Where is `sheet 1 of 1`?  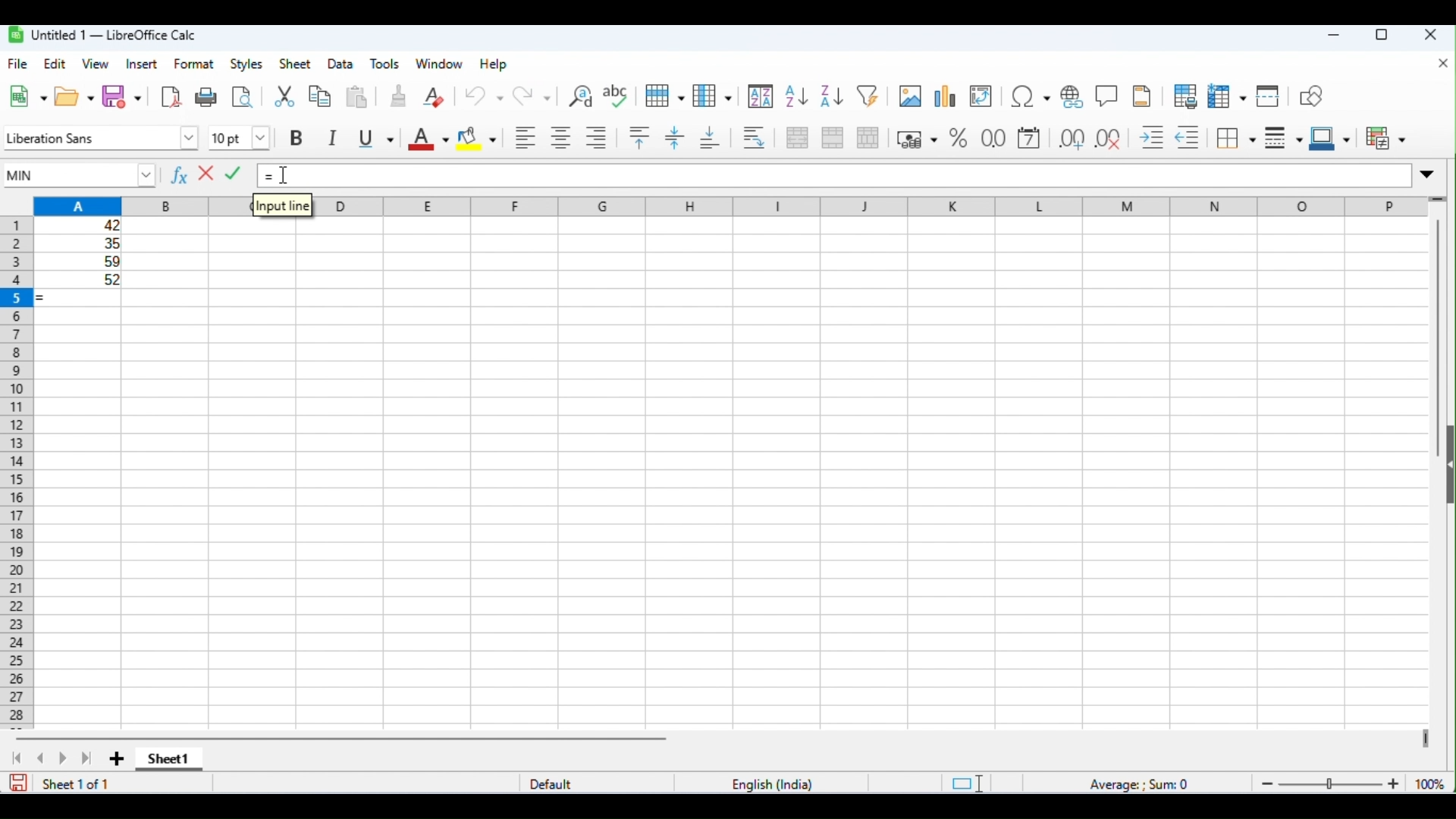
sheet 1 of 1 is located at coordinates (79, 783).